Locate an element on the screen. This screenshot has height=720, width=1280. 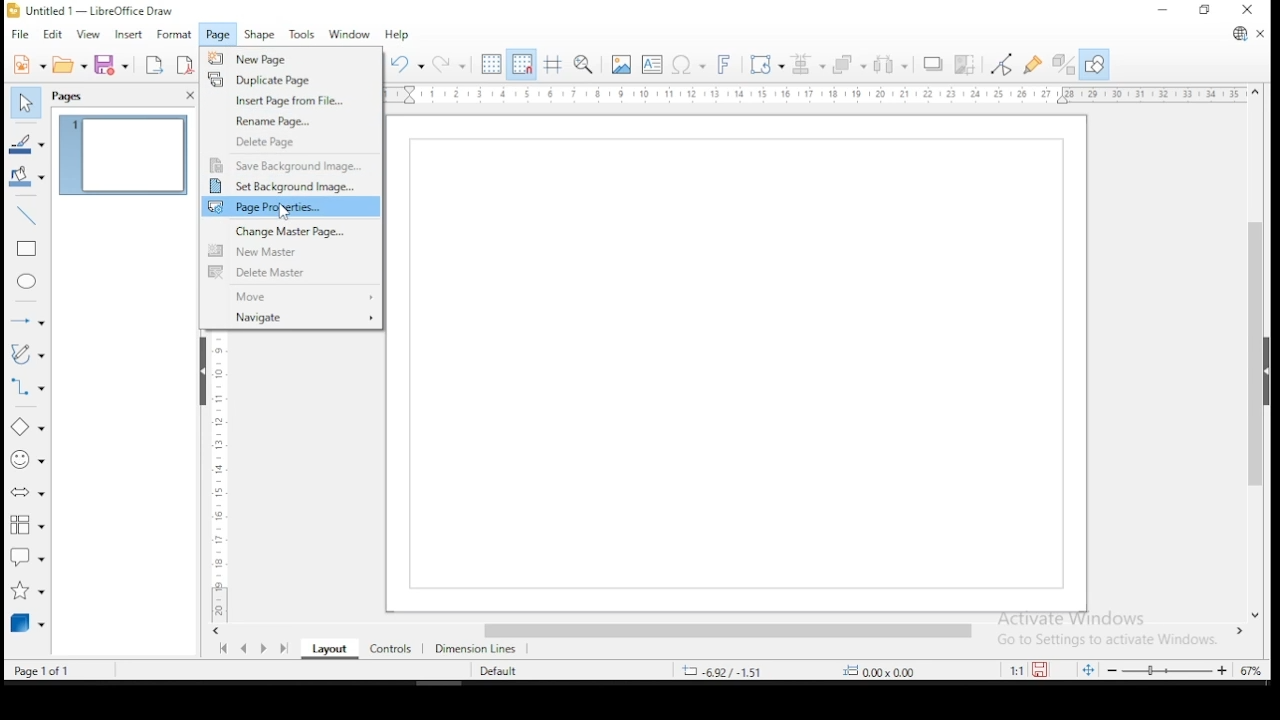
lines and arrows is located at coordinates (27, 318).